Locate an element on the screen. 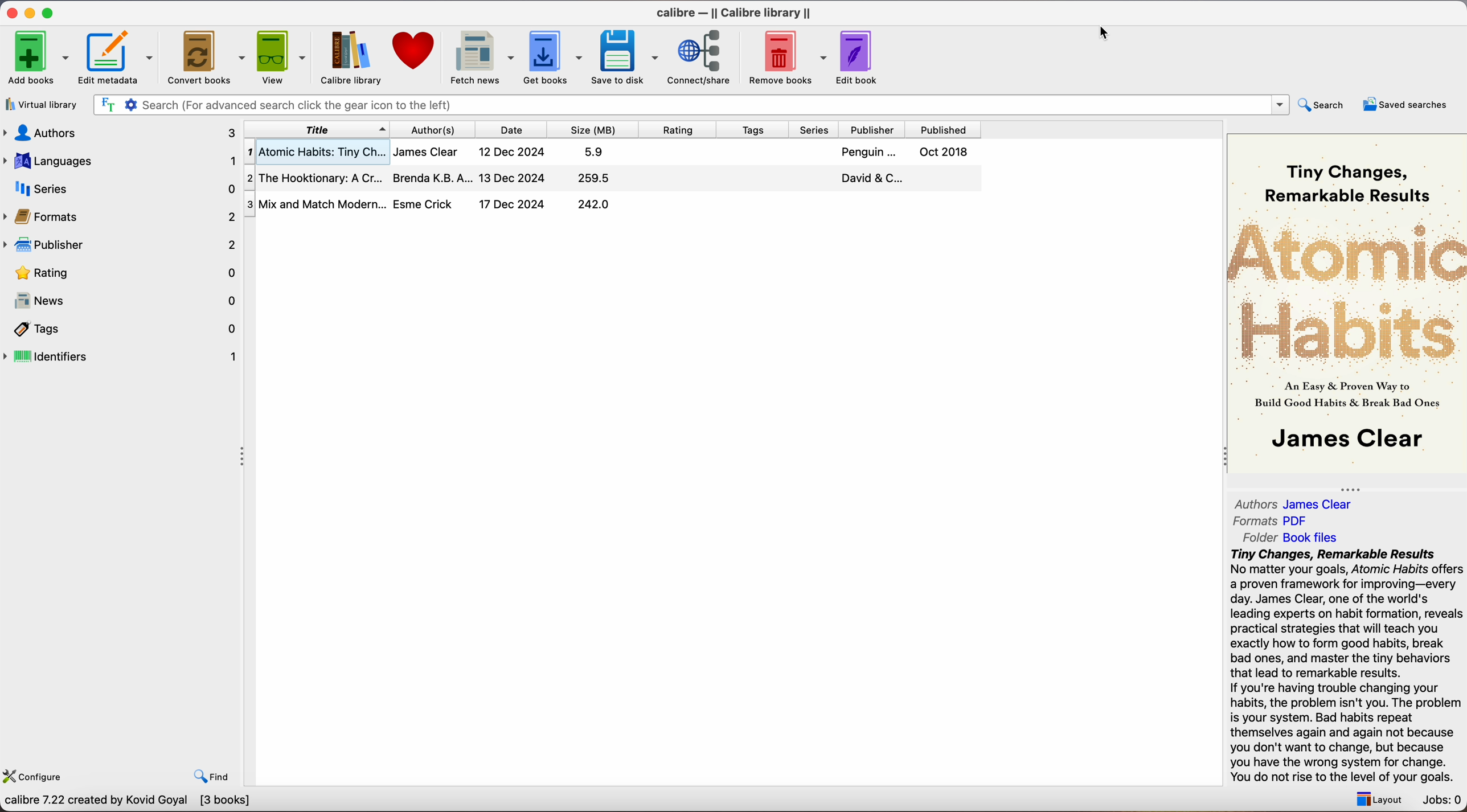  synopsis is located at coordinates (1349, 666).